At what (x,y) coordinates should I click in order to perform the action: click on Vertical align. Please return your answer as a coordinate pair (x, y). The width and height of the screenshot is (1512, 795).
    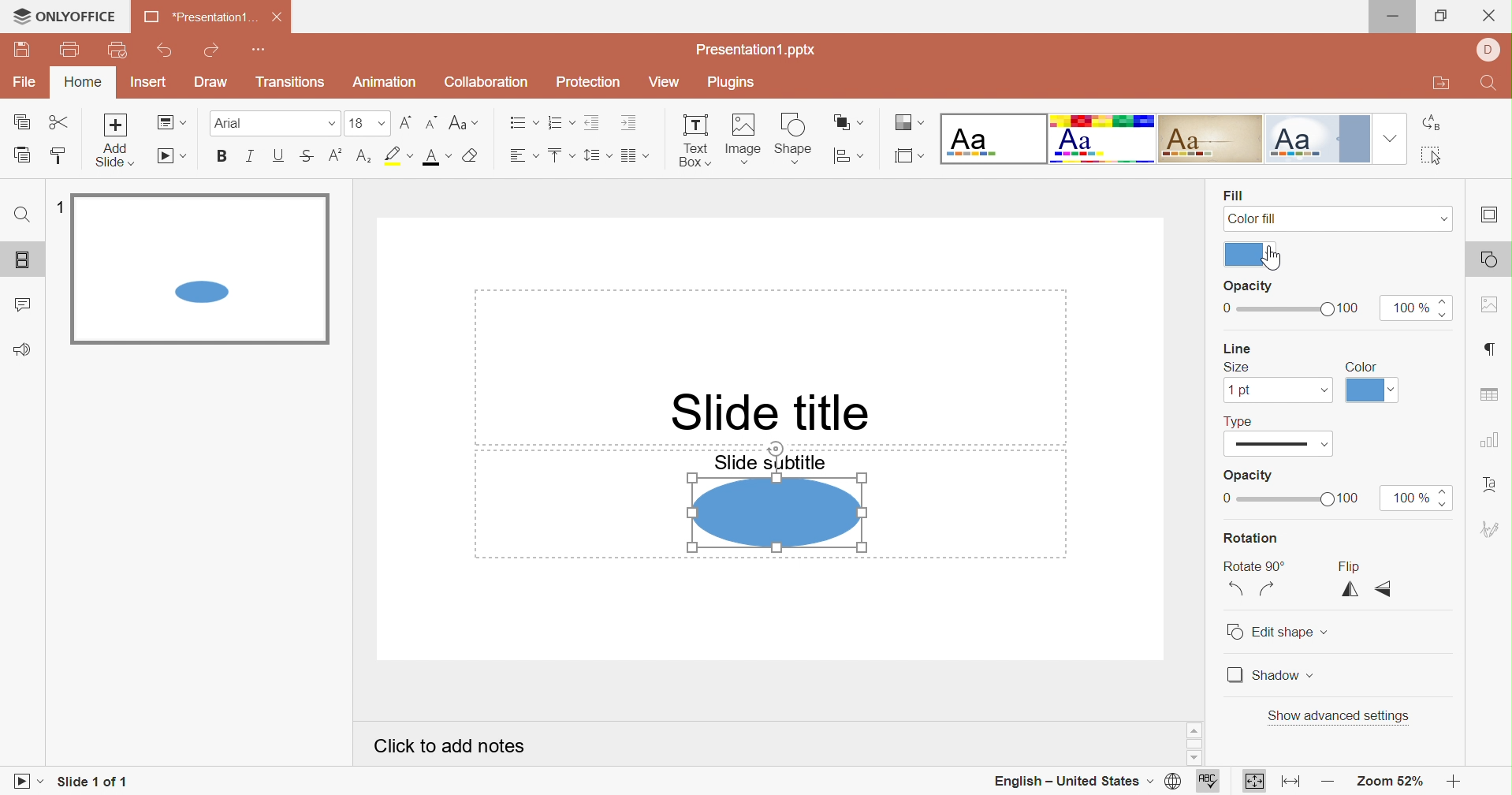
    Looking at the image, I should click on (559, 155).